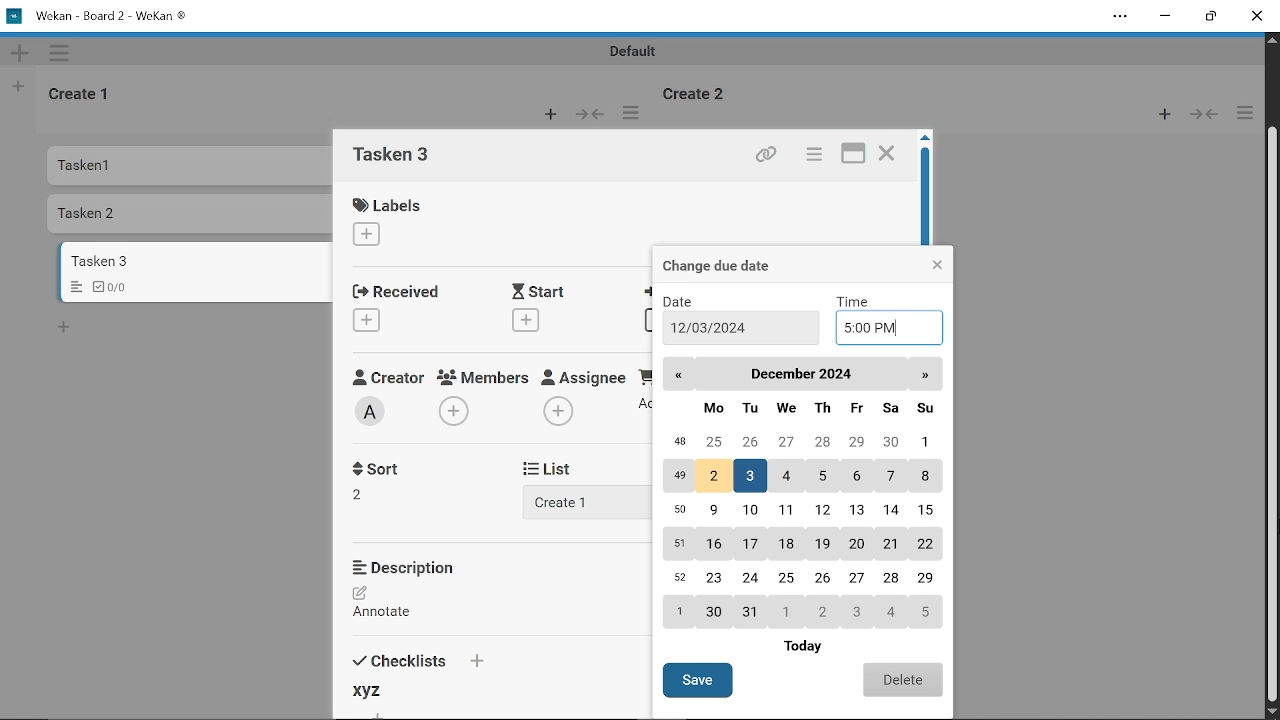  Describe the element at coordinates (857, 300) in the screenshot. I see `TIme` at that location.